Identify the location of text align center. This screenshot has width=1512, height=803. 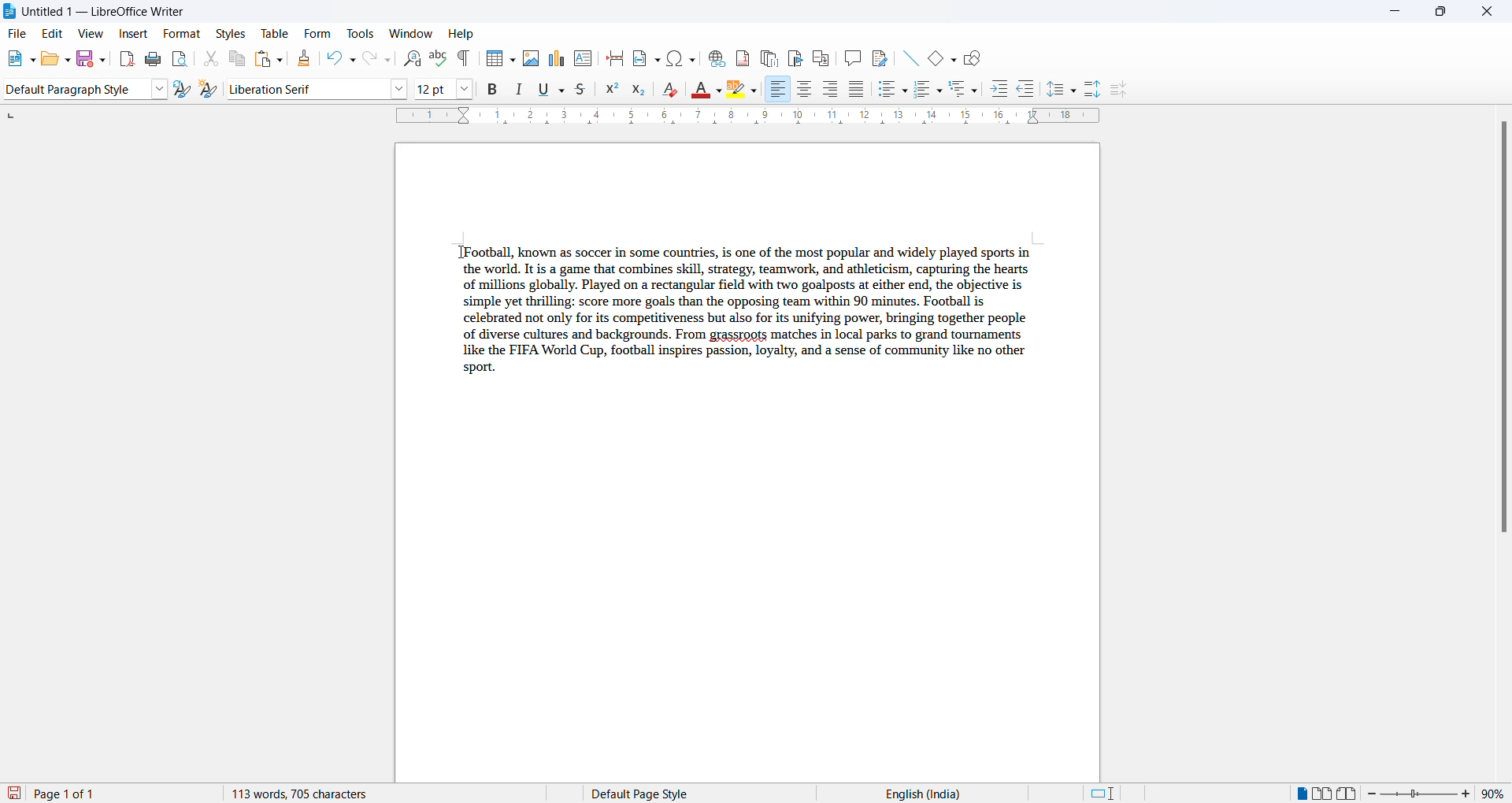
(805, 90).